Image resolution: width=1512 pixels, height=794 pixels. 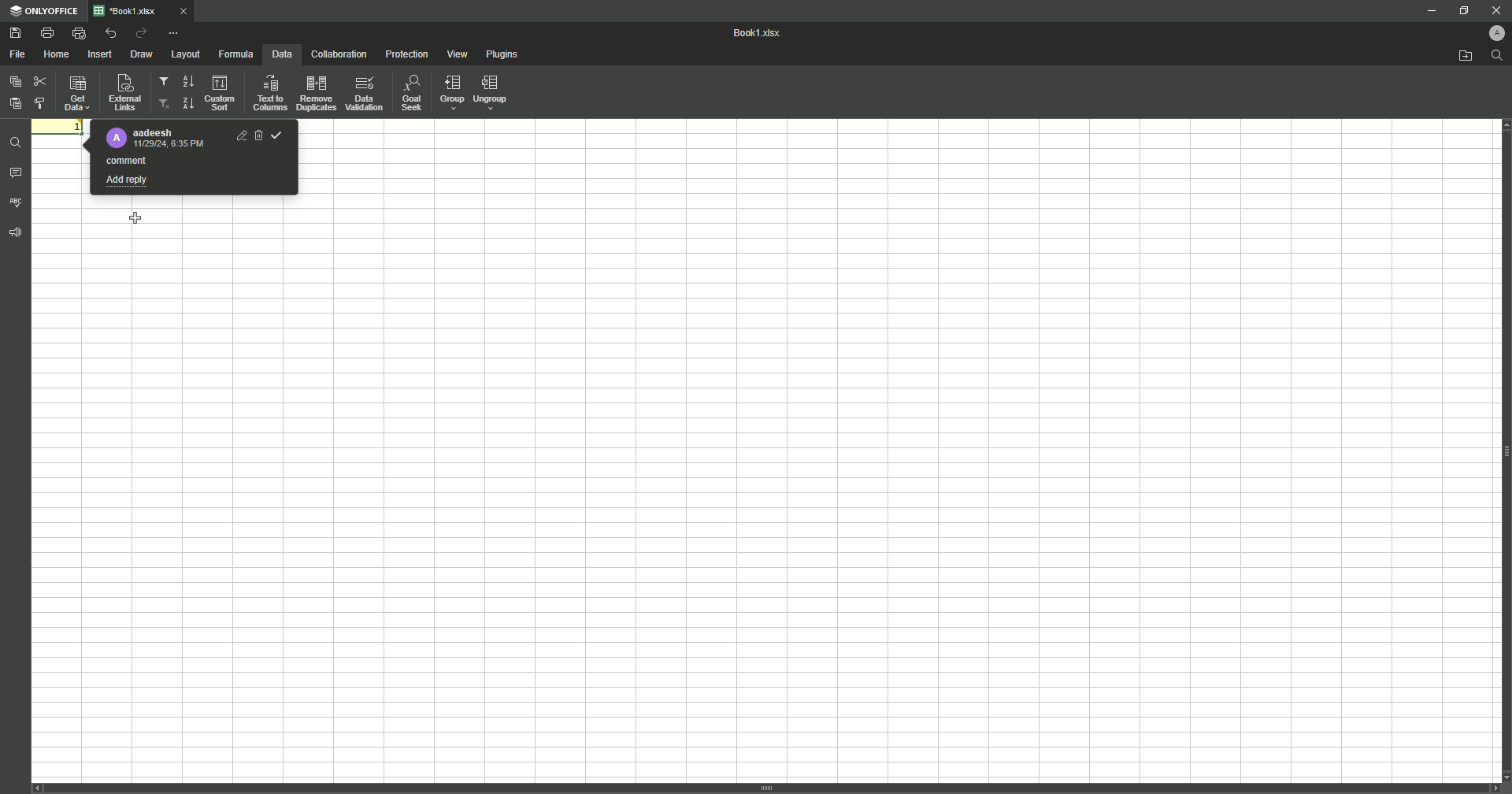 I want to click on Cut, so click(x=39, y=79).